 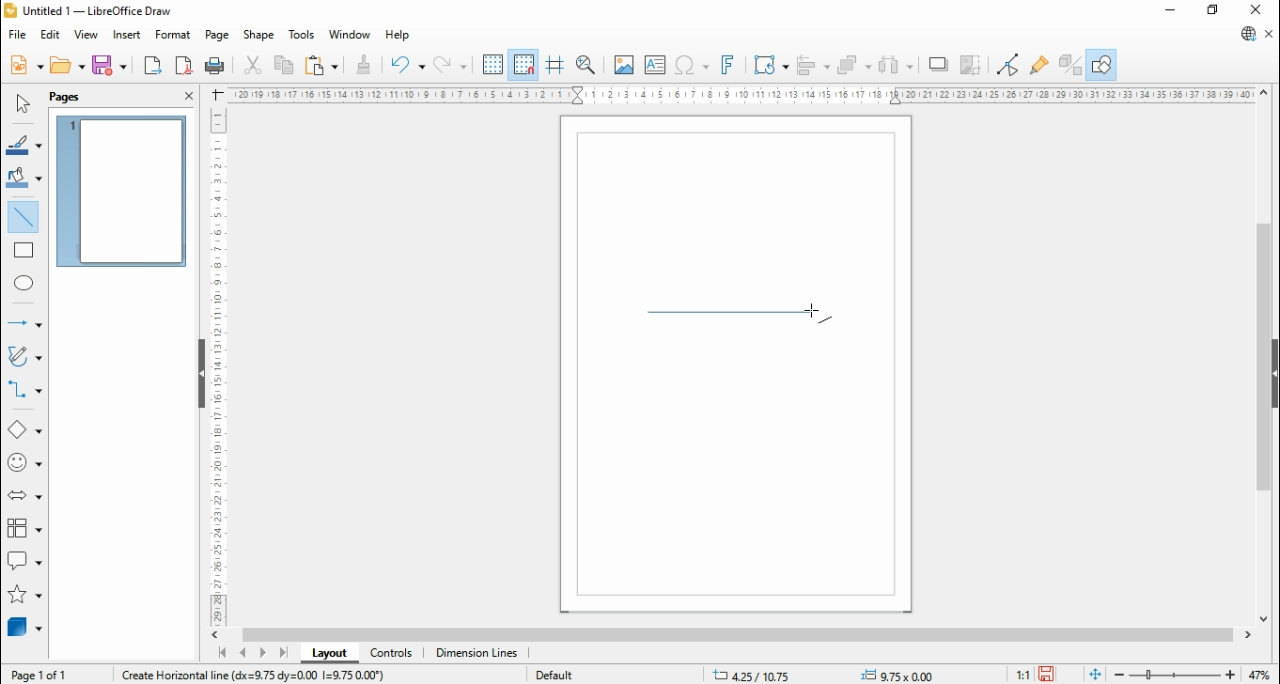 I want to click on zoom slider, so click(x=1173, y=675).